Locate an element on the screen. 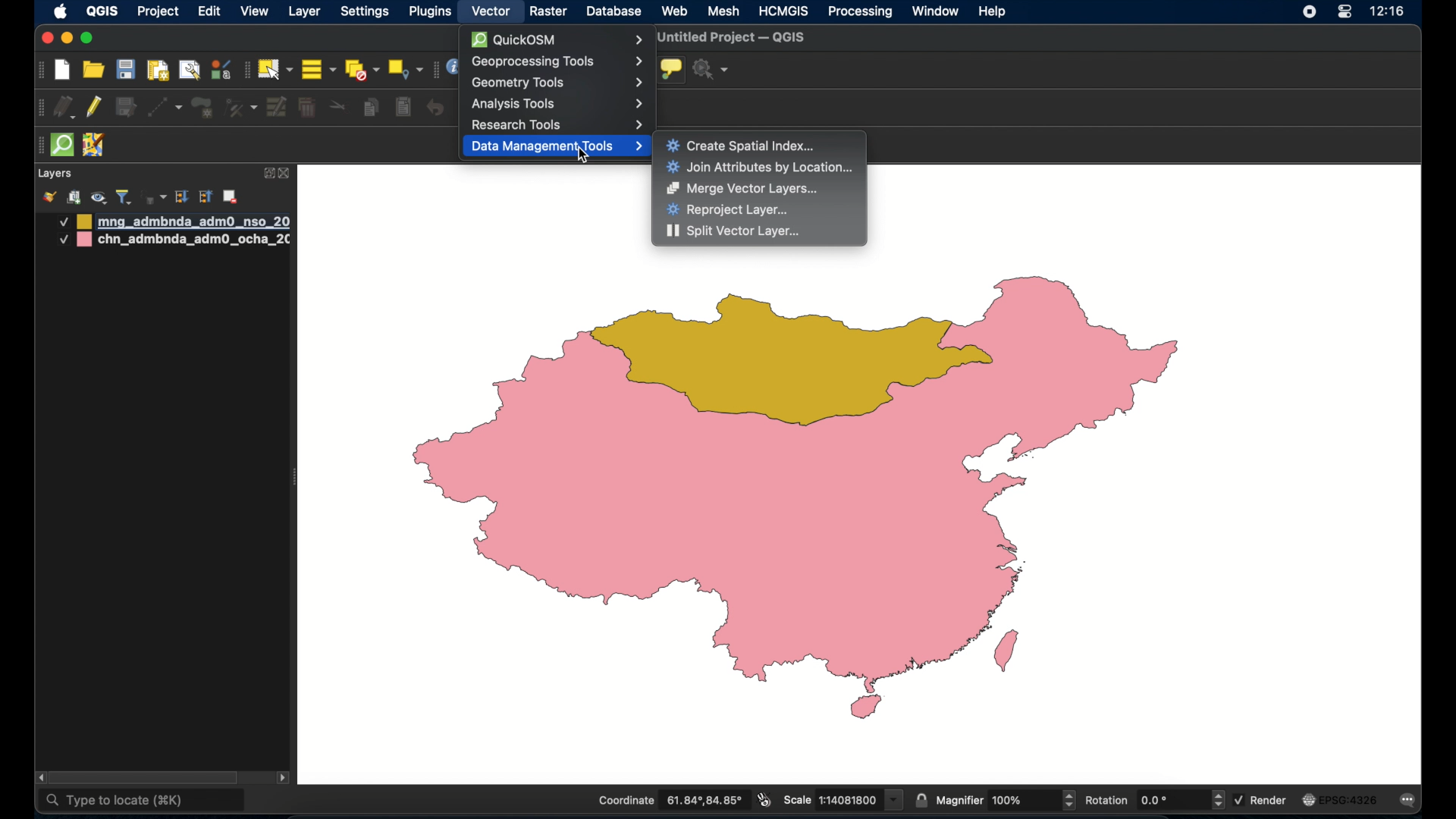 The height and width of the screenshot is (819, 1456). selection toolbar is located at coordinates (245, 70).